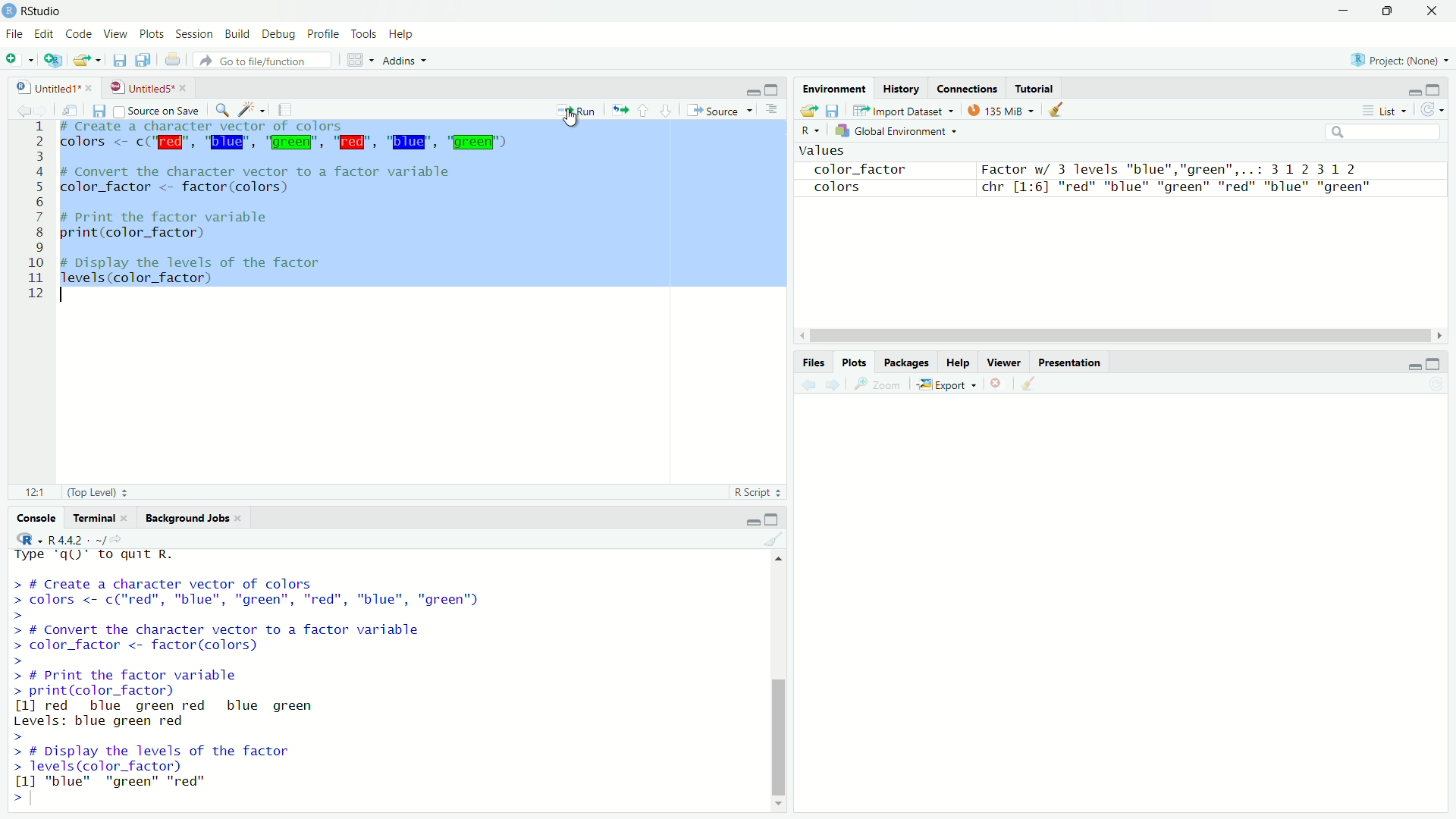  What do you see at coordinates (1406, 87) in the screenshot?
I see `minimize` at bounding box center [1406, 87].